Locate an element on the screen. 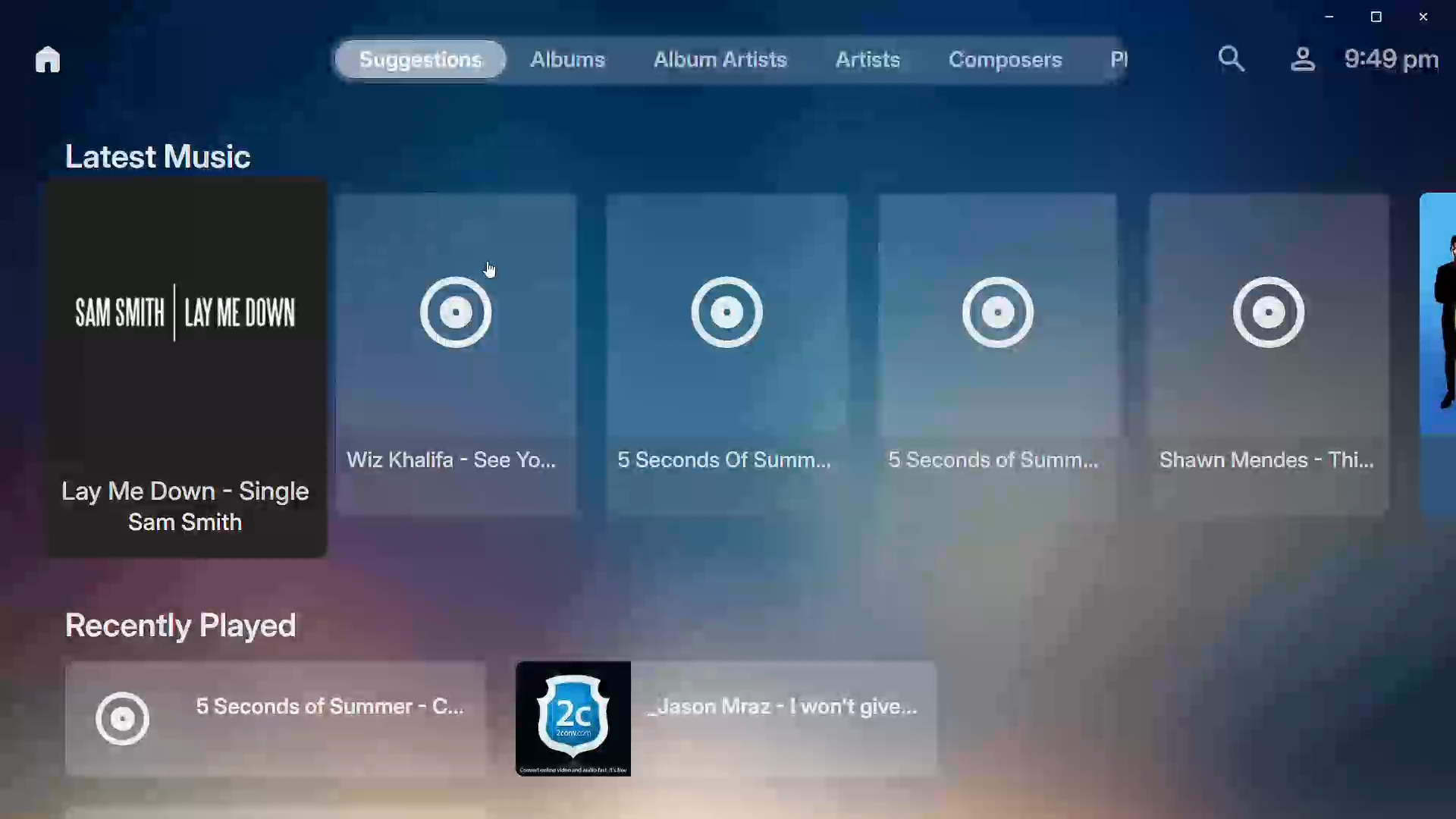 The width and height of the screenshot is (1456, 819). Wiz Khalifa is located at coordinates (457, 361).